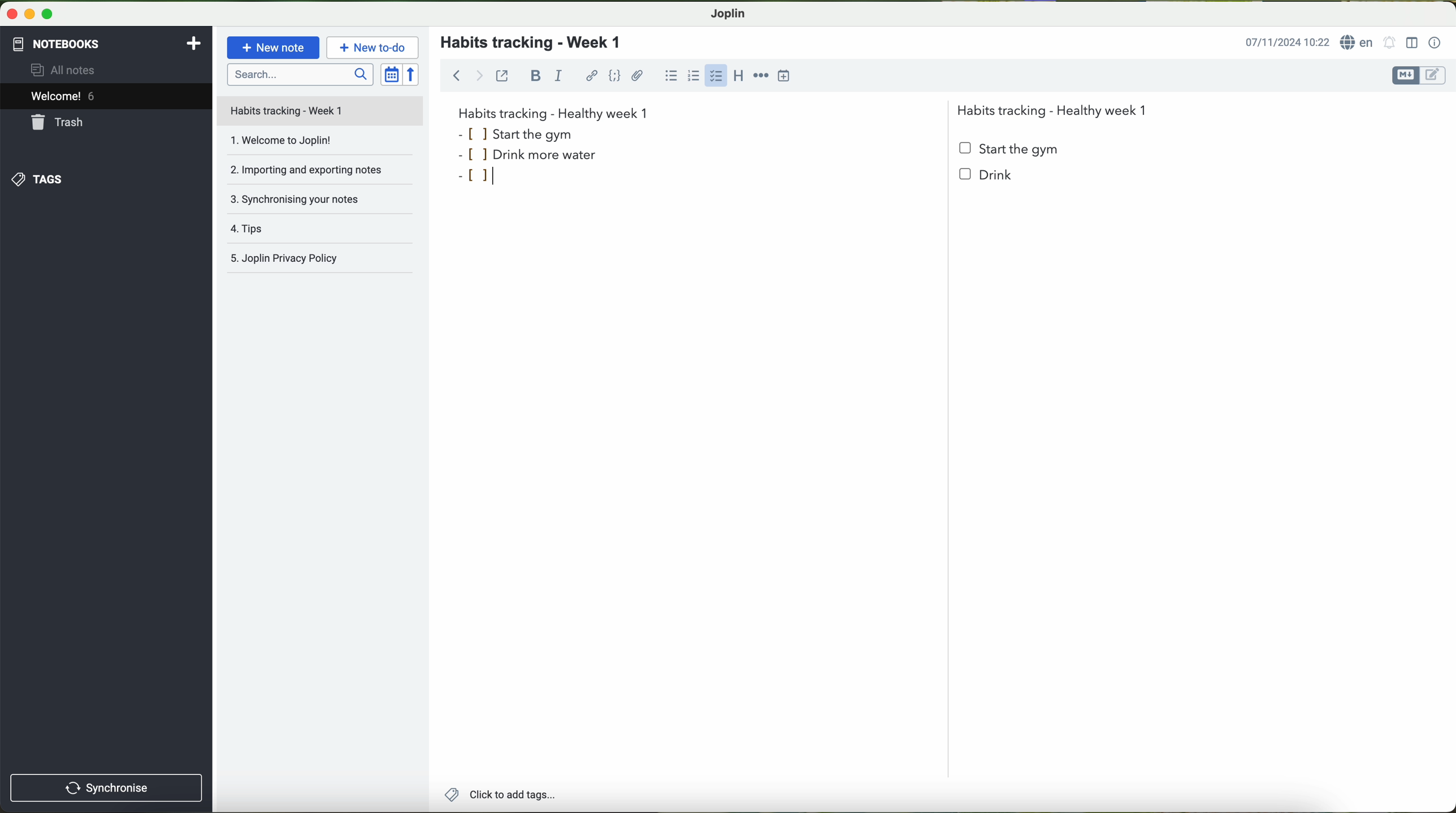  Describe the element at coordinates (1436, 44) in the screenshot. I see `note properties` at that location.